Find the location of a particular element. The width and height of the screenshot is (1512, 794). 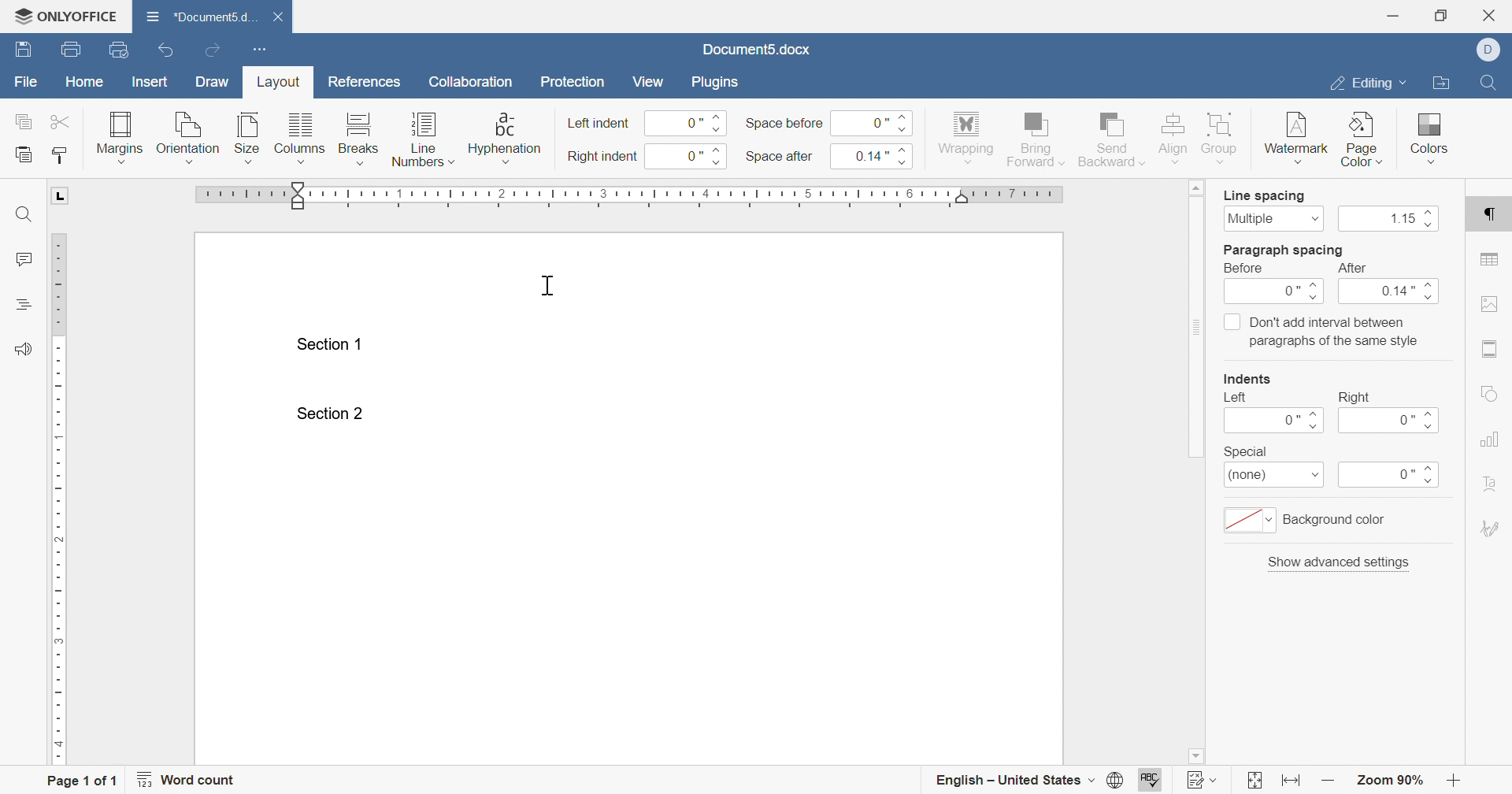

left is located at coordinates (1236, 398).